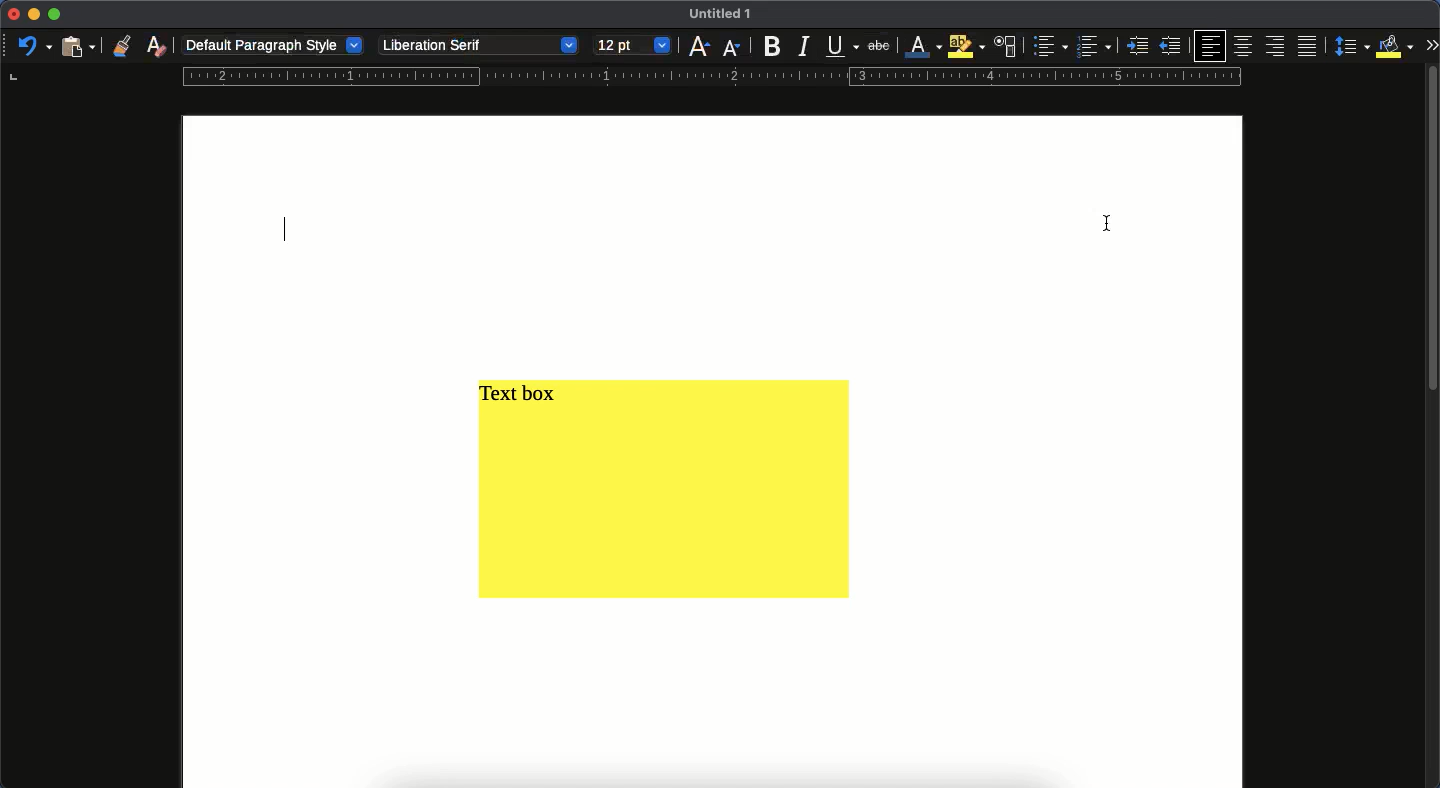  Describe the element at coordinates (877, 44) in the screenshot. I see `strikethrough ` at that location.